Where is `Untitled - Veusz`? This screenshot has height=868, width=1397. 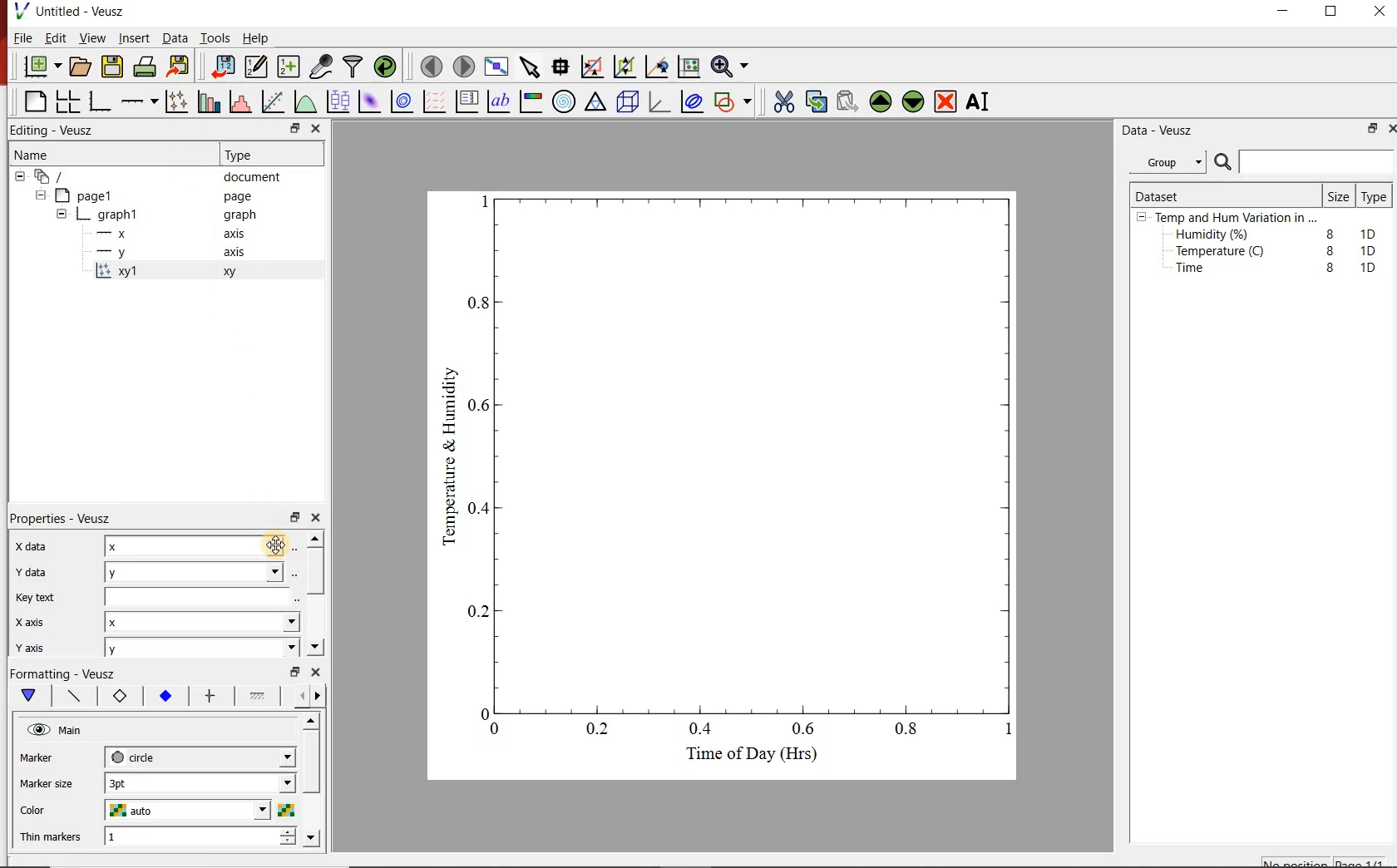 Untitled - Veusz is located at coordinates (74, 11).